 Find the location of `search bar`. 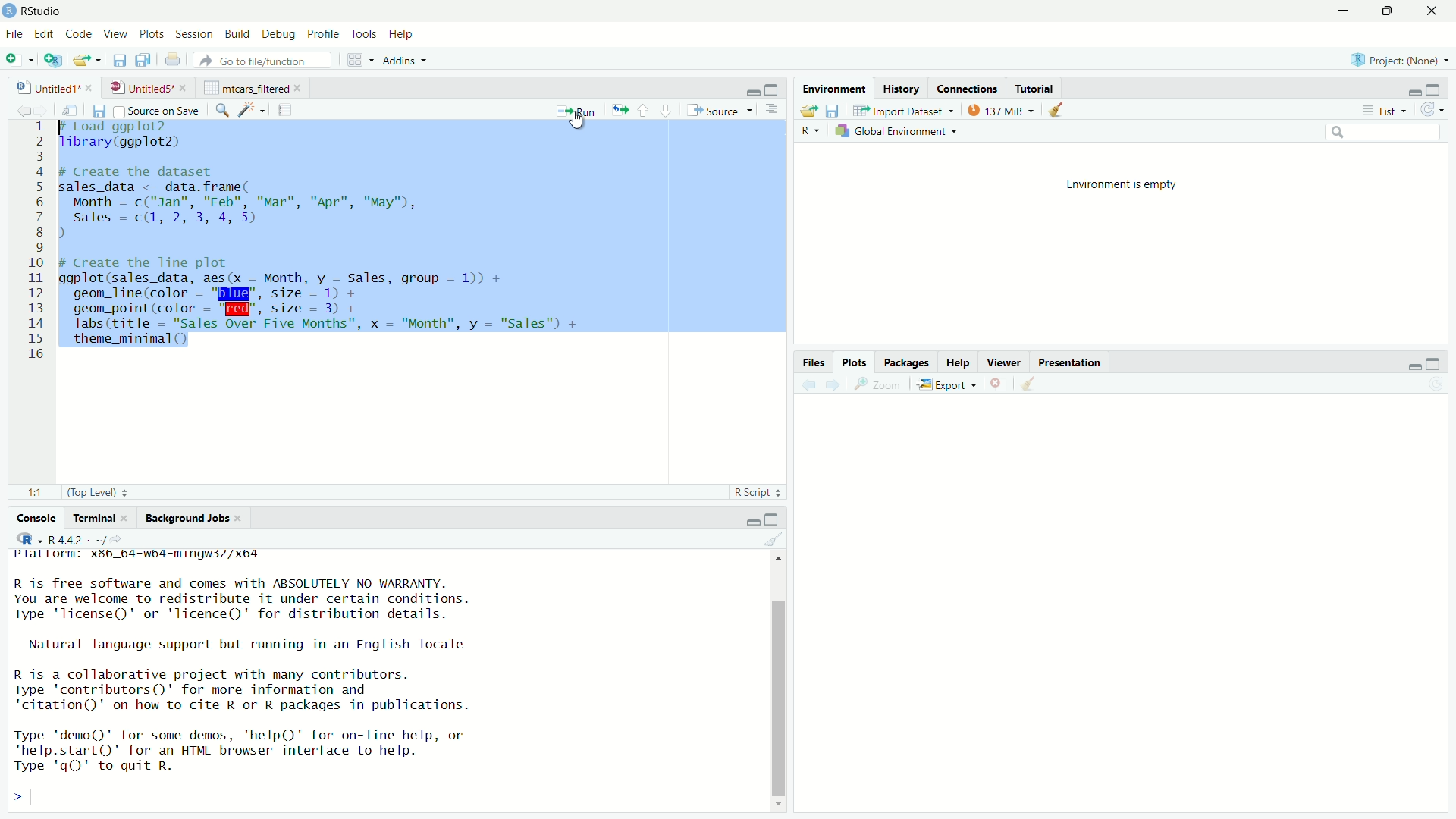

search bar is located at coordinates (1382, 131).